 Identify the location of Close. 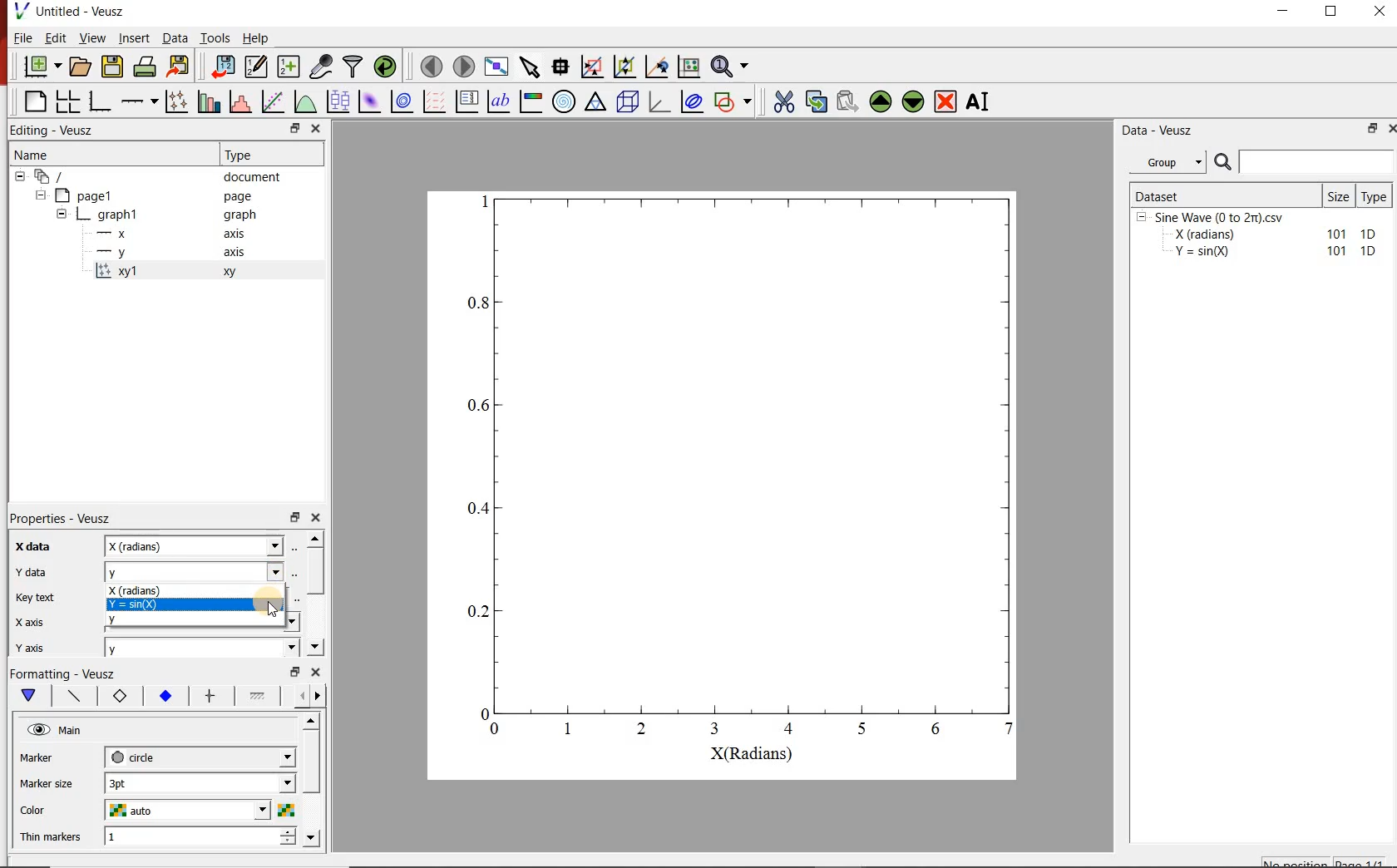
(317, 515).